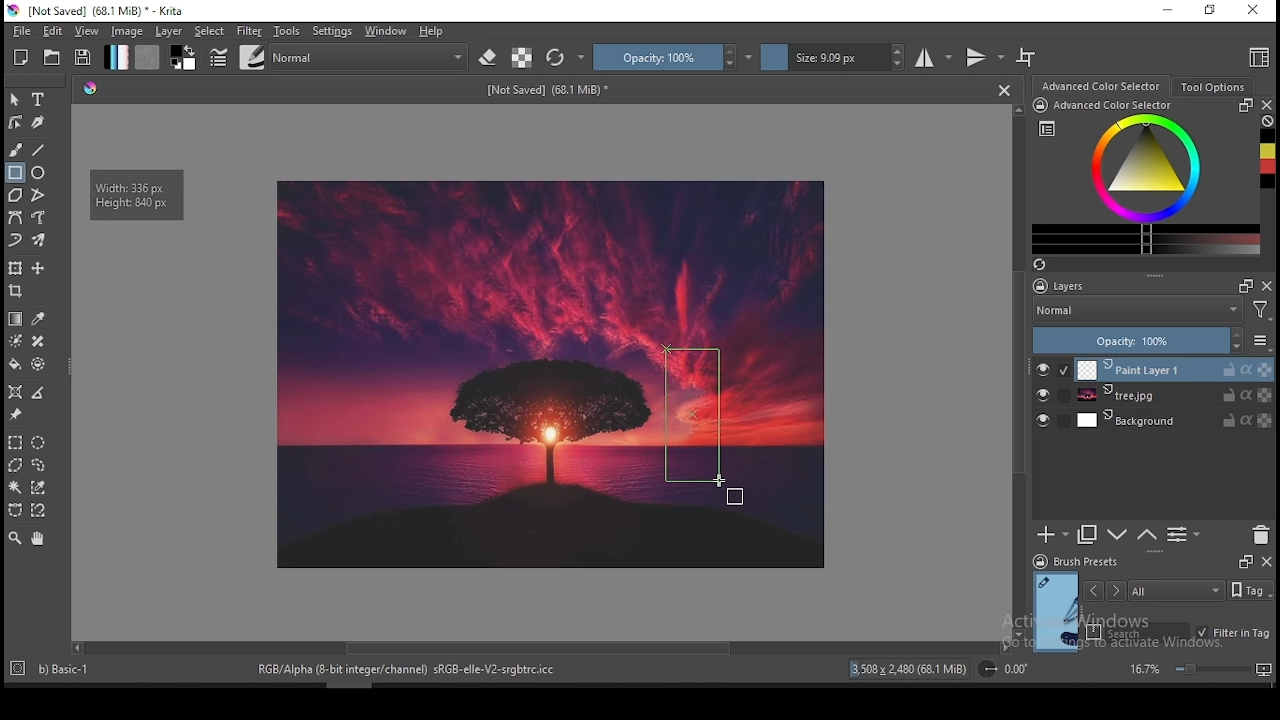 The image size is (1280, 720). Describe the element at coordinates (1177, 590) in the screenshot. I see `tags` at that location.